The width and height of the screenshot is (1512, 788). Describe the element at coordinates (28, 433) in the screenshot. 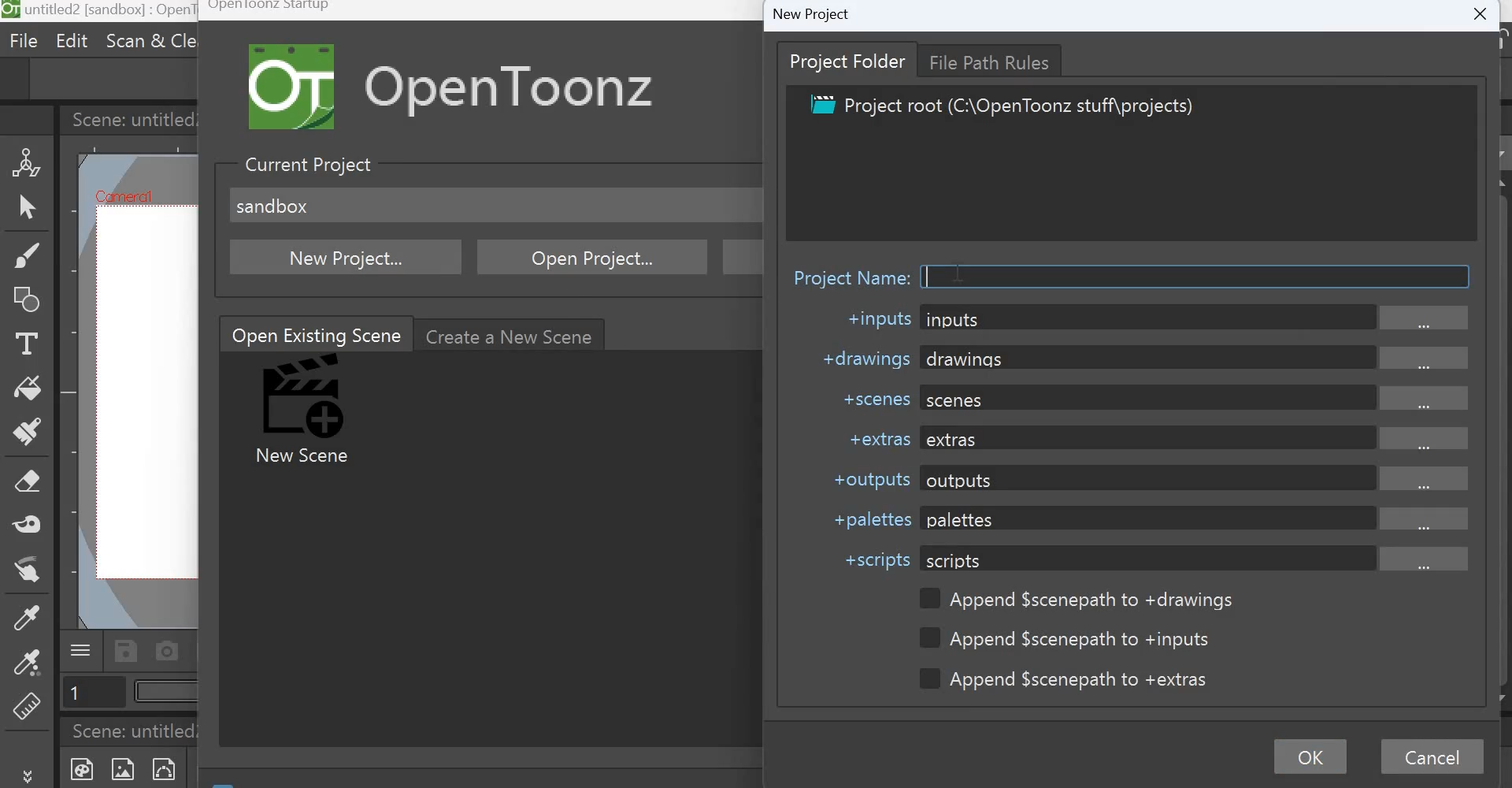

I see `Paint brush tool` at that location.